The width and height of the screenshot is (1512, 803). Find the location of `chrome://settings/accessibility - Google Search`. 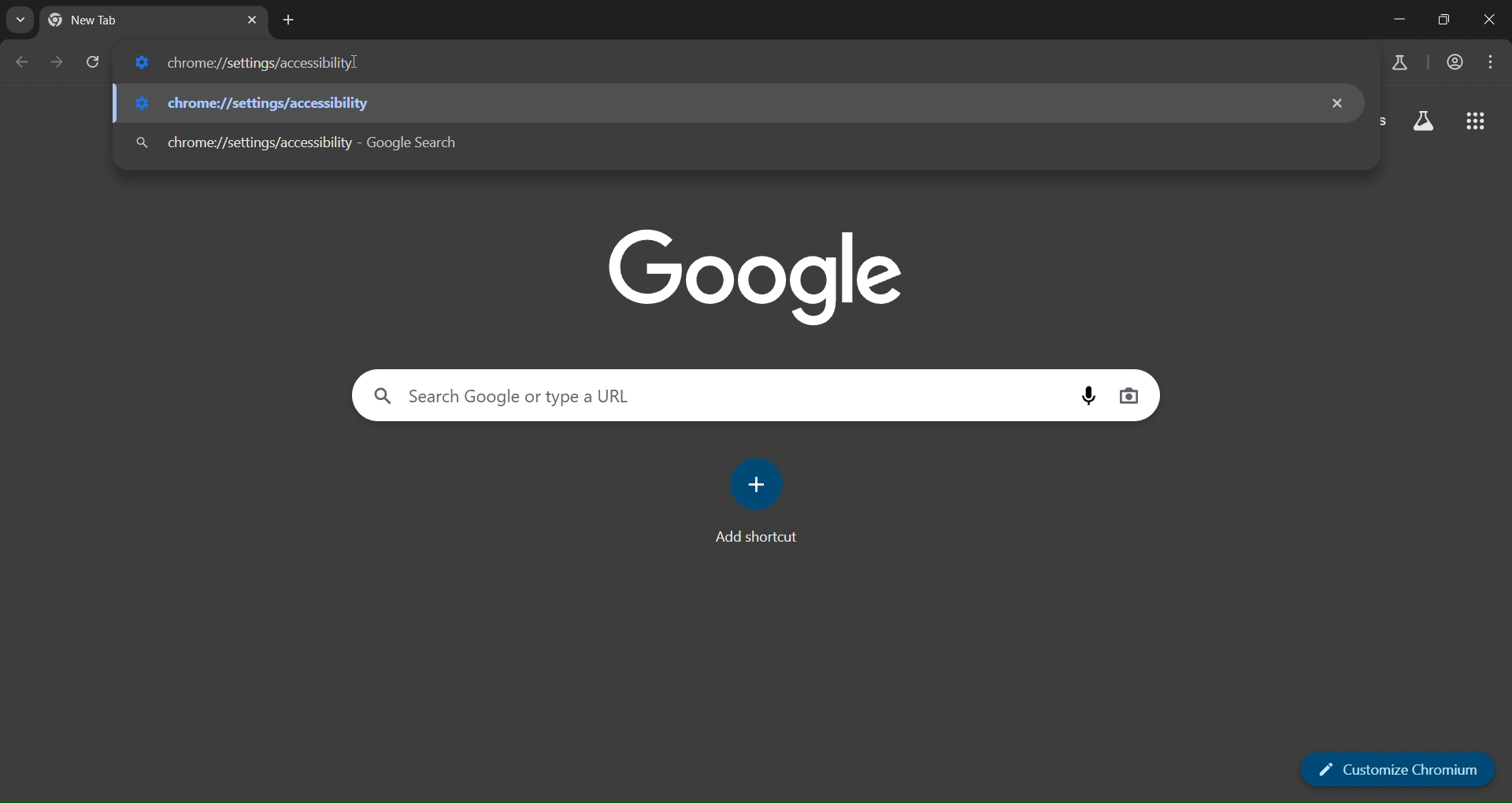

chrome://settings/accessibility - Google Search is located at coordinates (299, 143).